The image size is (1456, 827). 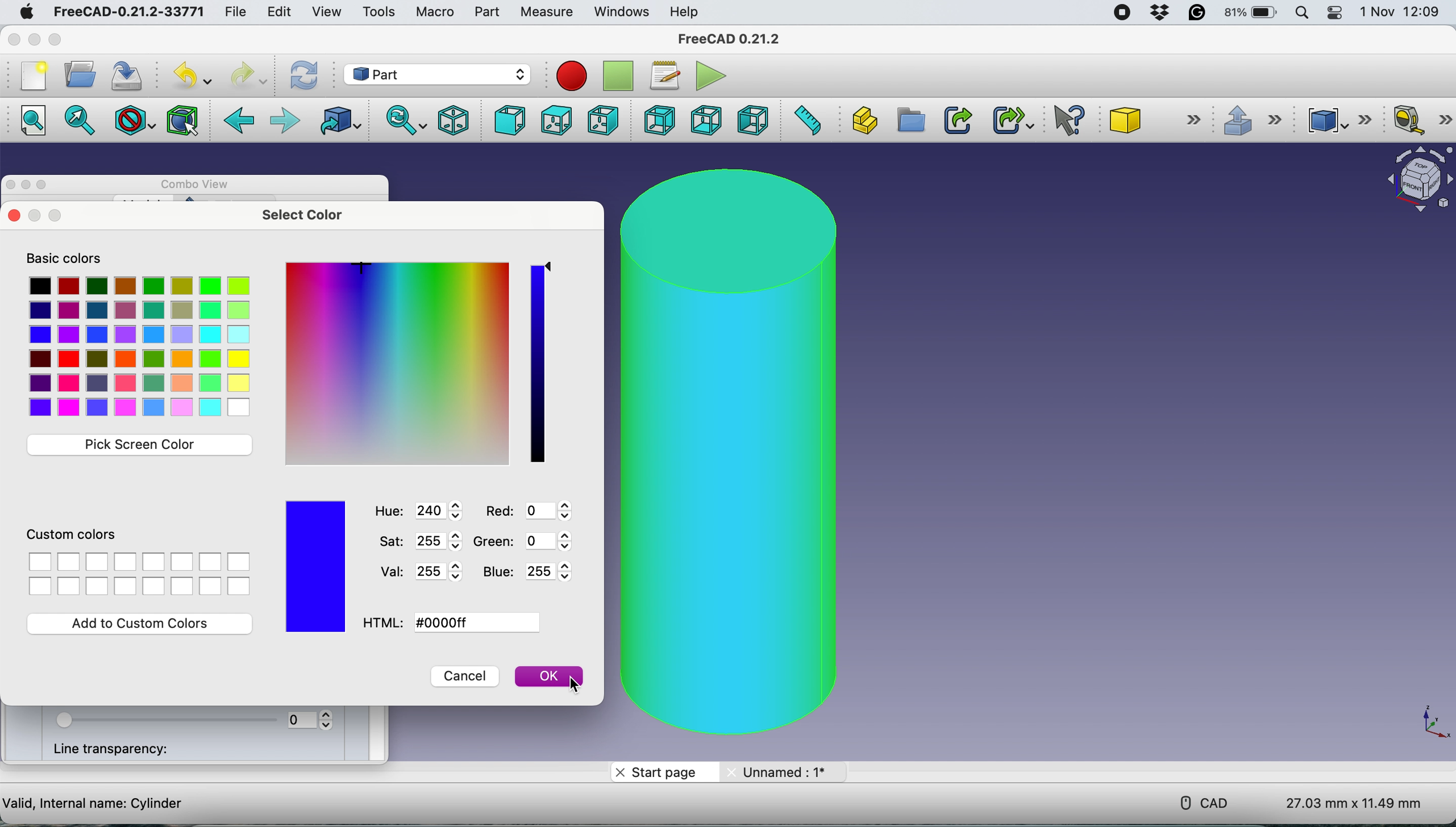 I want to click on rear, so click(x=656, y=122).